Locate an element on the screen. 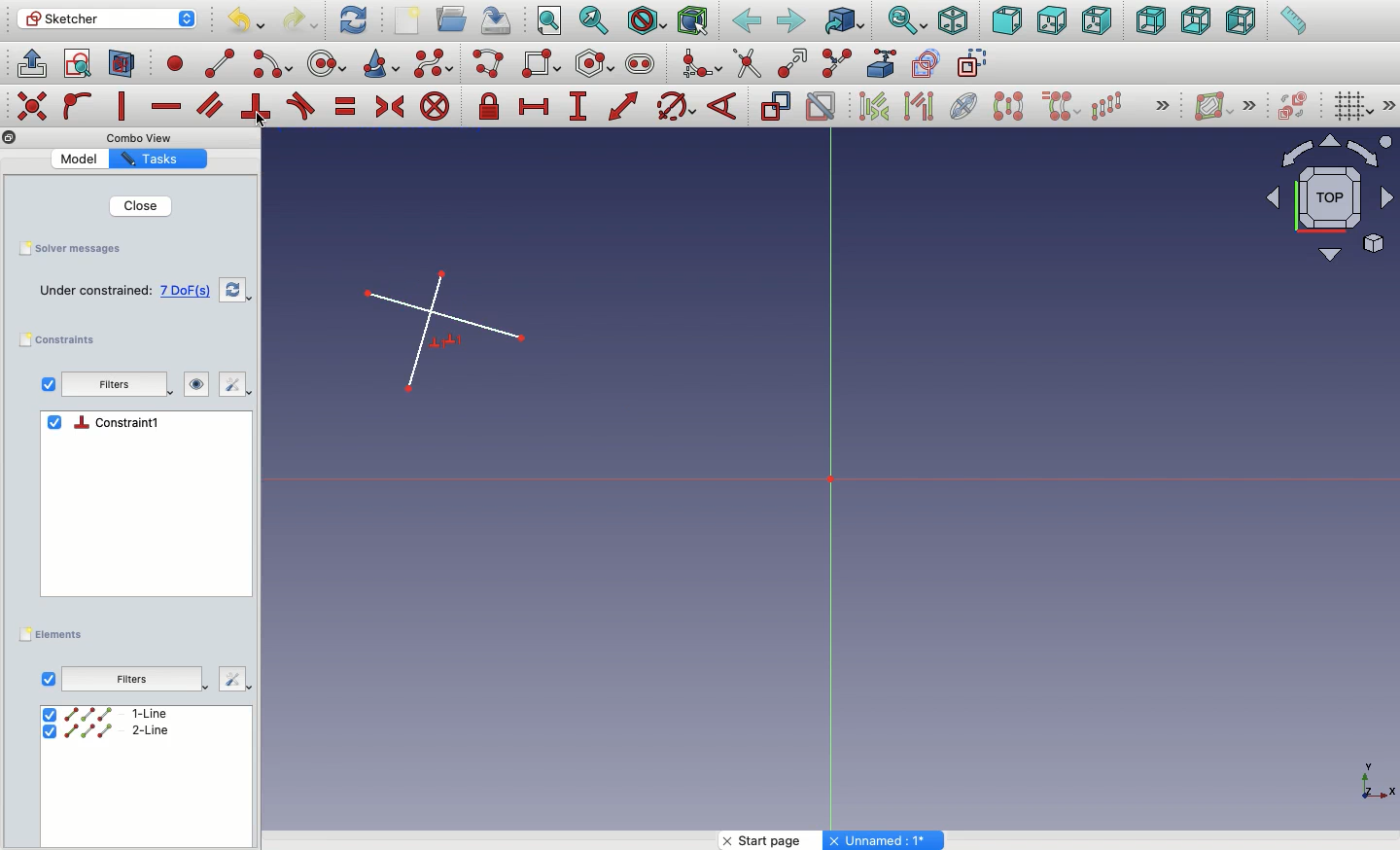 Image resolution: width=1400 pixels, height=850 pixels. Map sketch to face is located at coordinates (122, 64).